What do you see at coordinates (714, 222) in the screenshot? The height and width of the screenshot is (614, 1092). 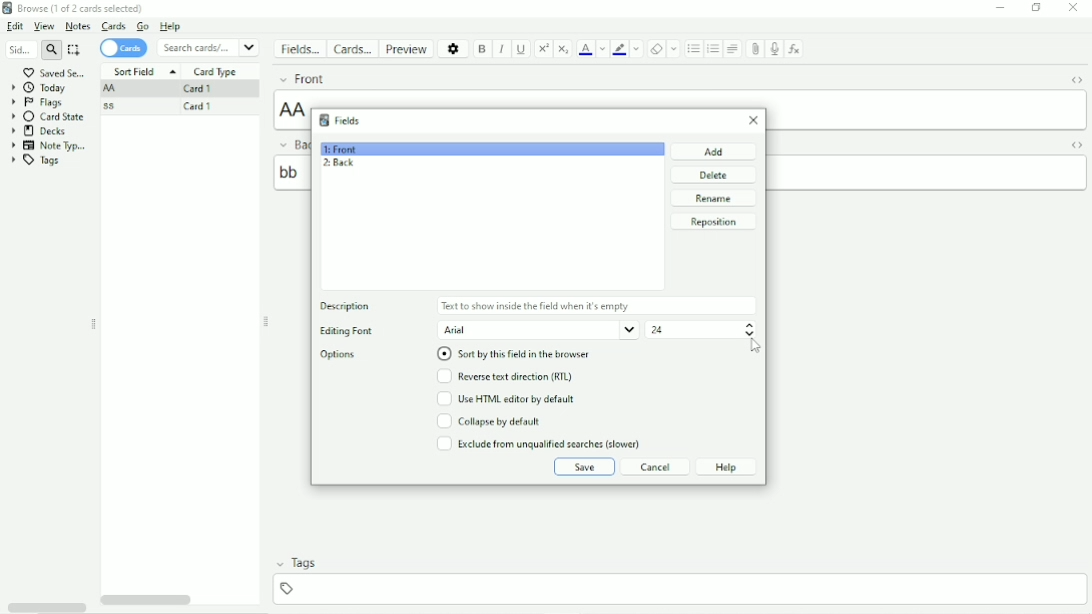 I see `Reposition` at bounding box center [714, 222].